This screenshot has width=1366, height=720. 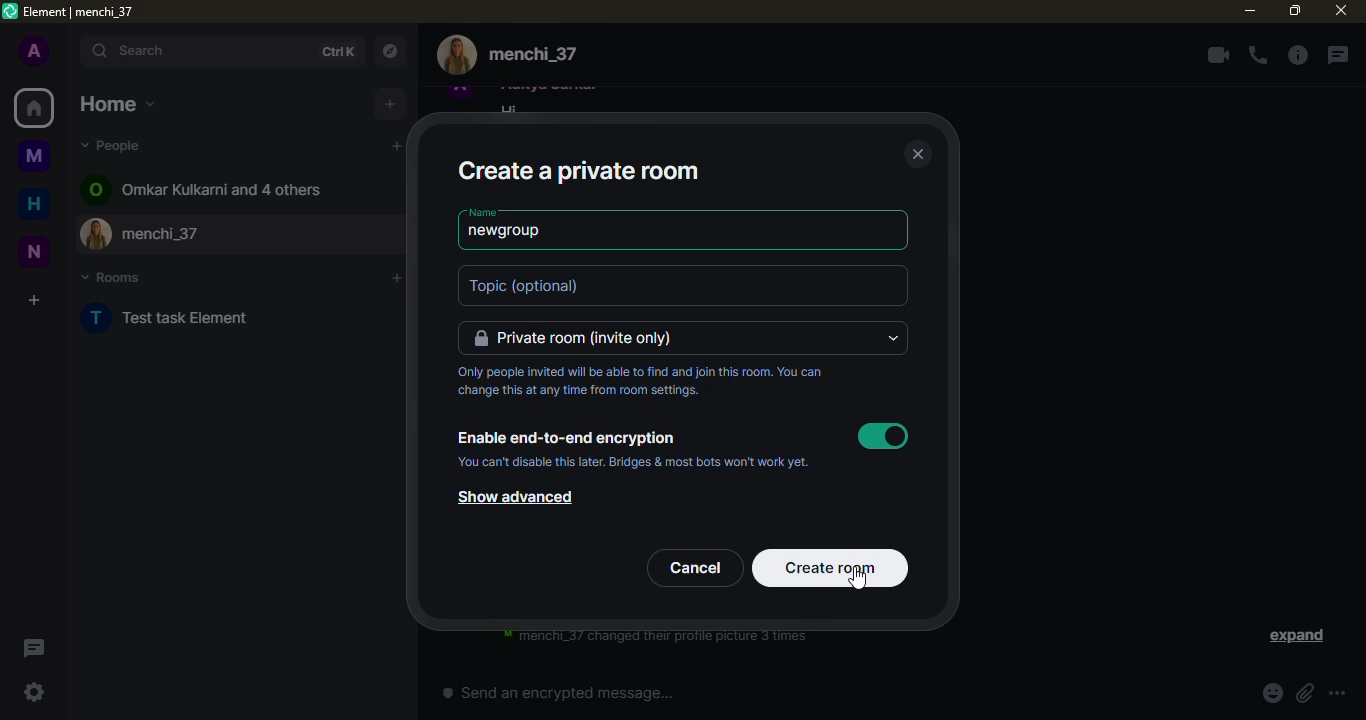 What do you see at coordinates (1295, 11) in the screenshot?
I see `maximize` at bounding box center [1295, 11].